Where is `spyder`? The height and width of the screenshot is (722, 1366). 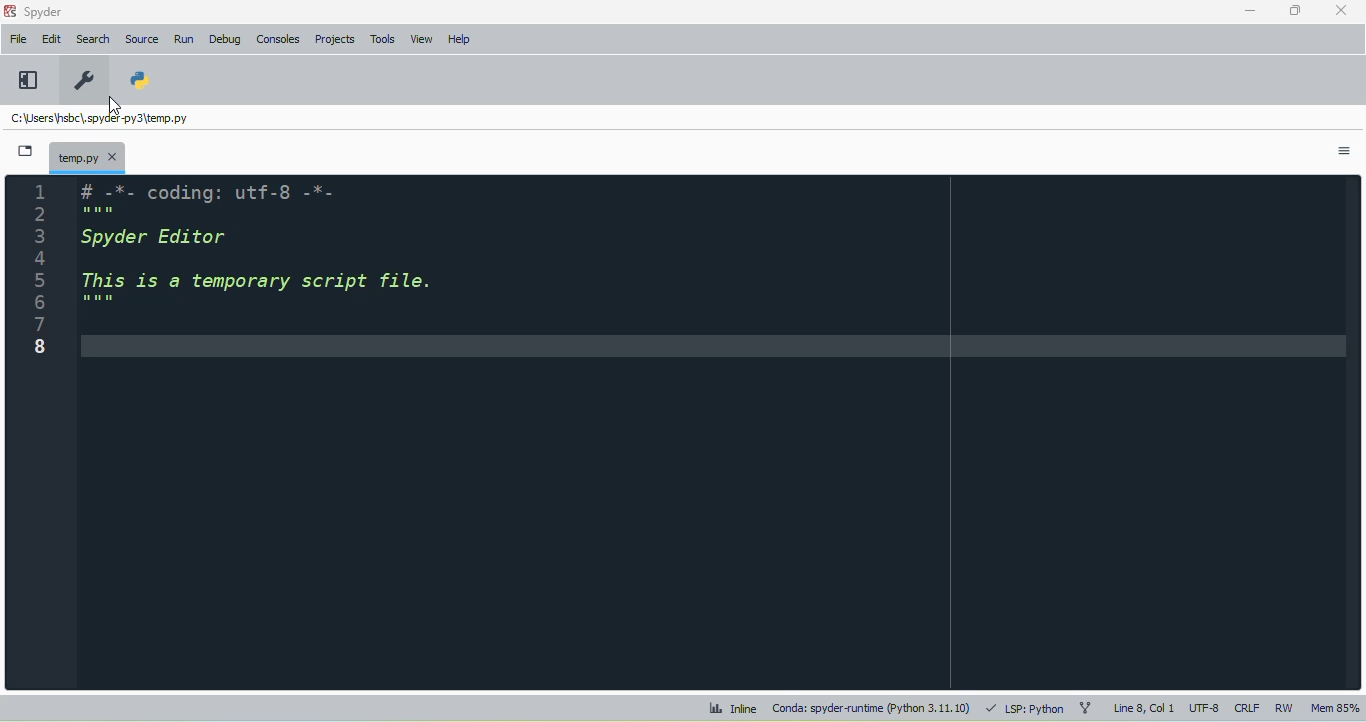
spyder is located at coordinates (44, 12).